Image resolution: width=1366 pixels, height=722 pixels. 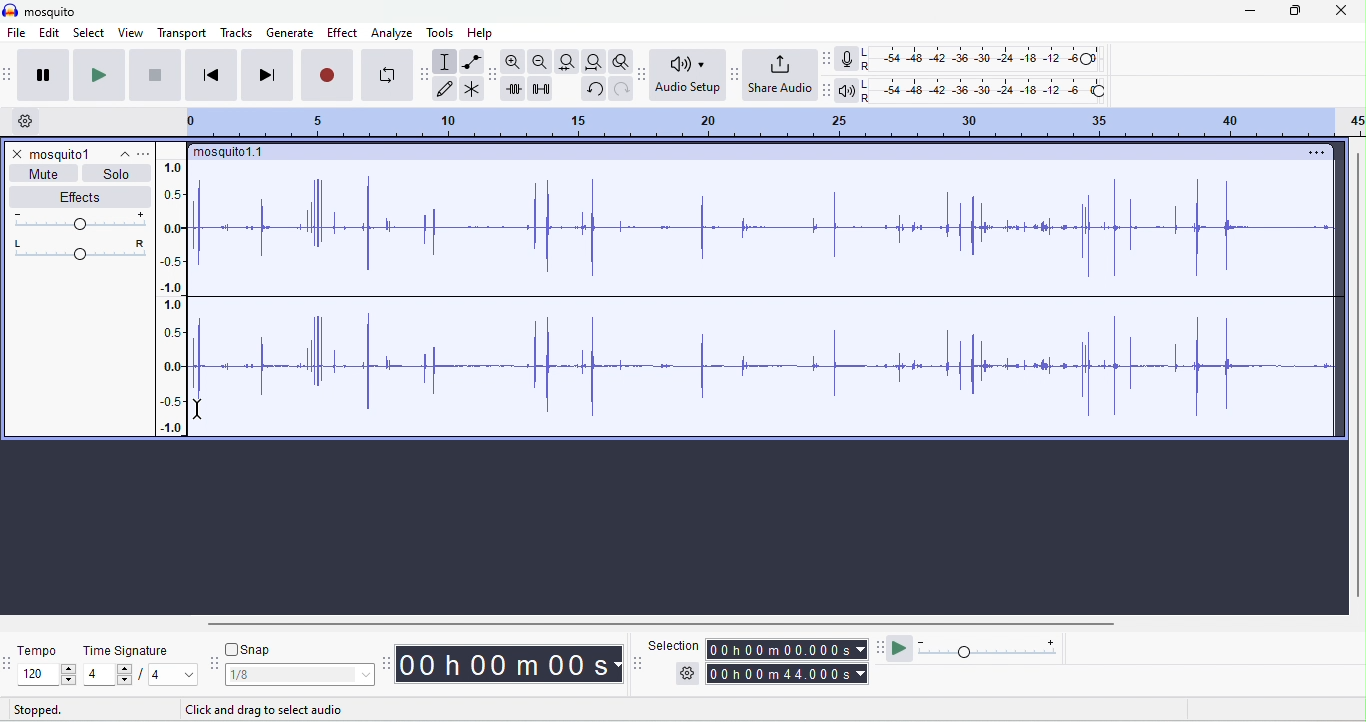 I want to click on share audio, so click(x=779, y=73).